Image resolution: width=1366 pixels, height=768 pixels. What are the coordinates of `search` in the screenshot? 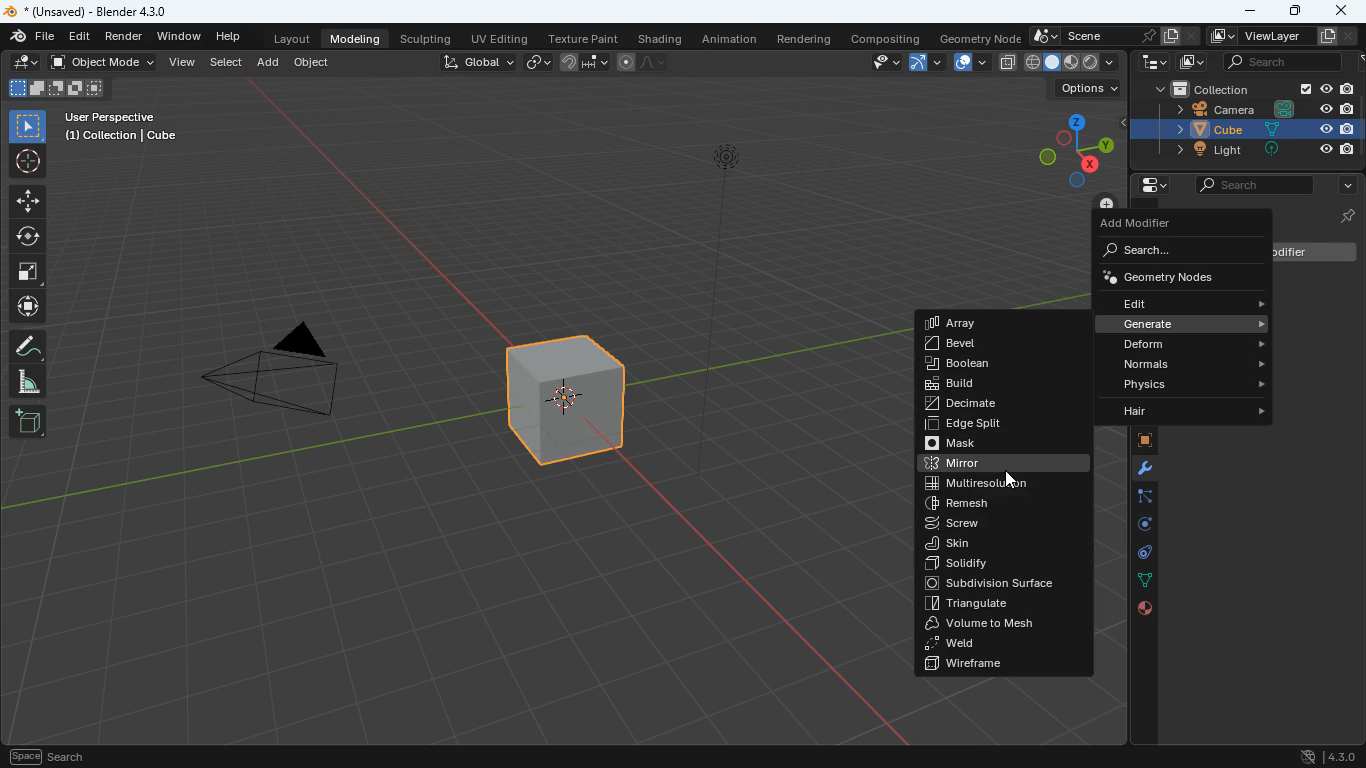 It's located at (1273, 62).